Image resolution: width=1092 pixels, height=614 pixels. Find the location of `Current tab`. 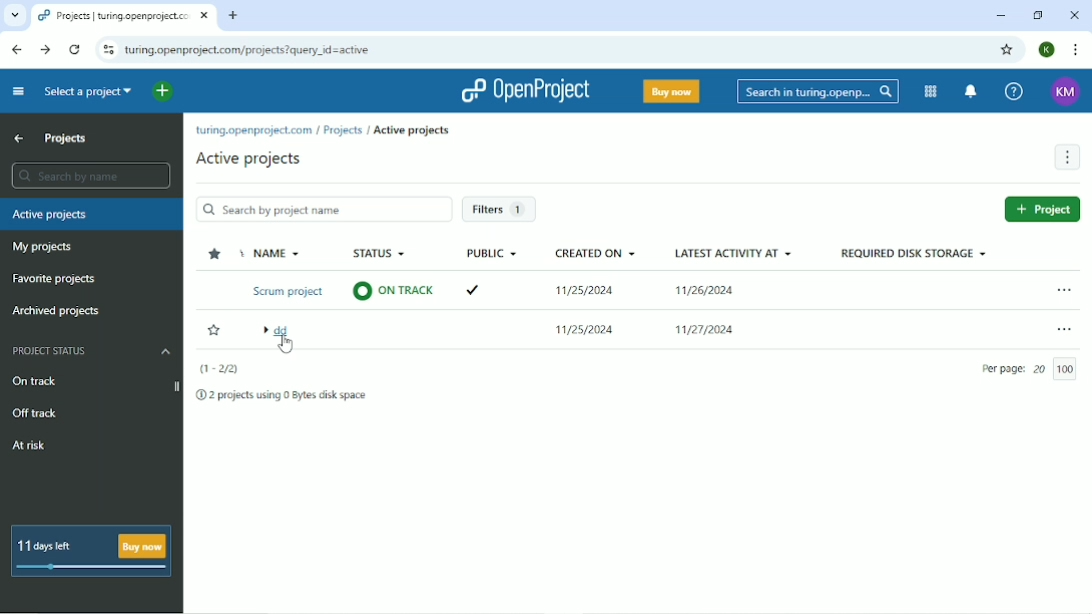

Current tab is located at coordinates (123, 16).